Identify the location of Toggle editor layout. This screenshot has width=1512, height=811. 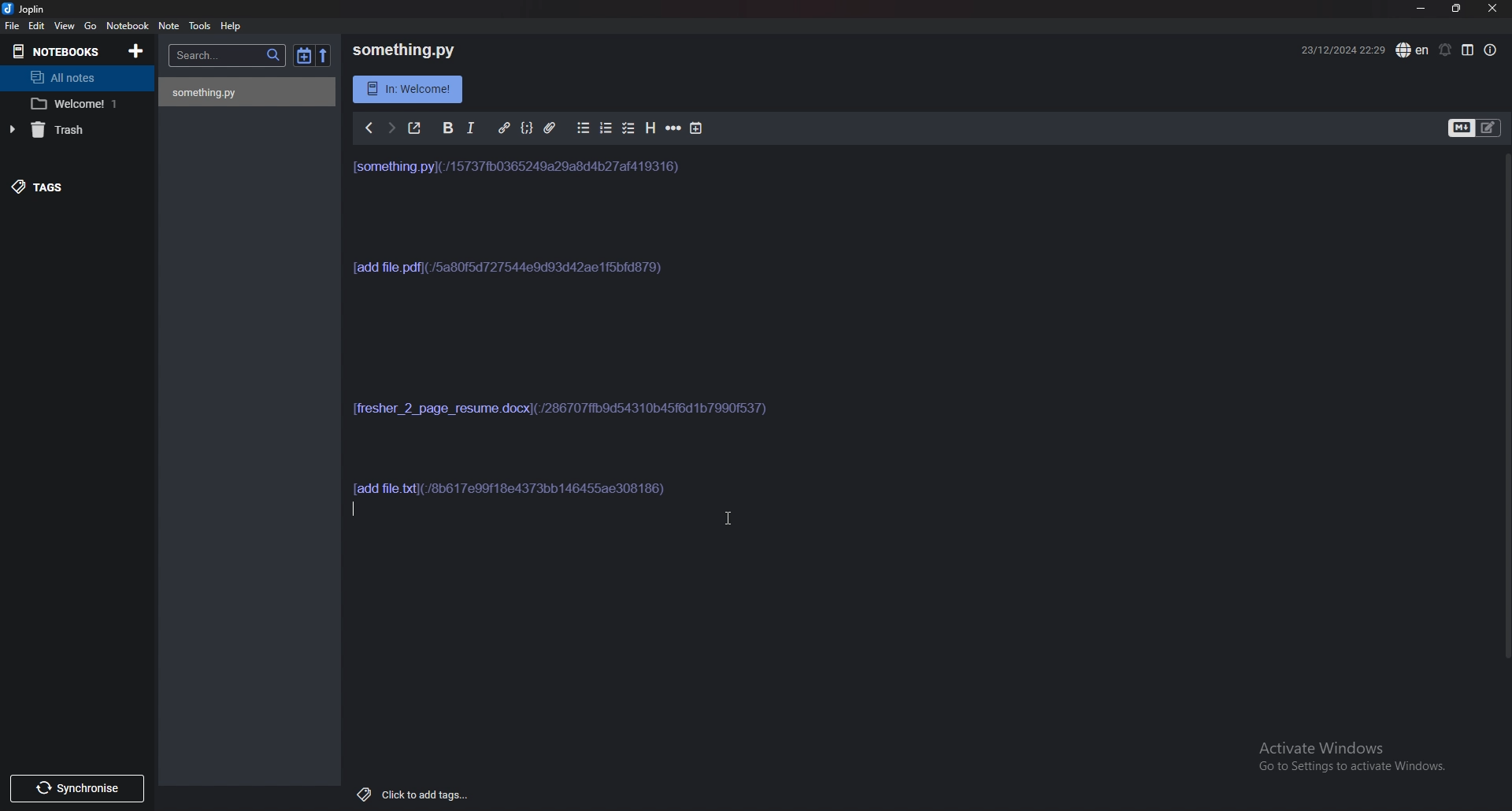
(1467, 50).